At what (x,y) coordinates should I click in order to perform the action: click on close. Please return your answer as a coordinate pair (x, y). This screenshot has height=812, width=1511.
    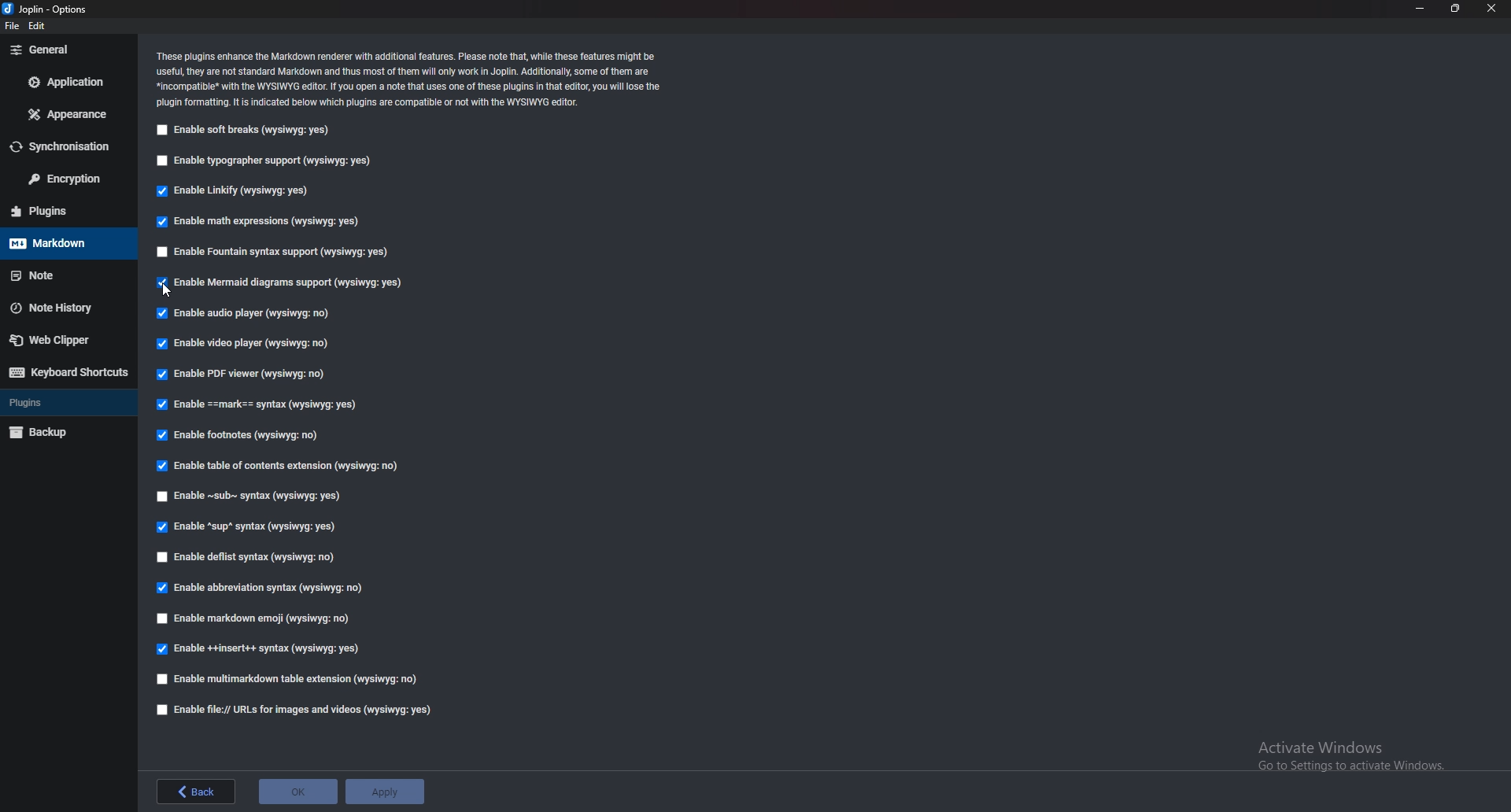
    Looking at the image, I should click on (1492, 7).